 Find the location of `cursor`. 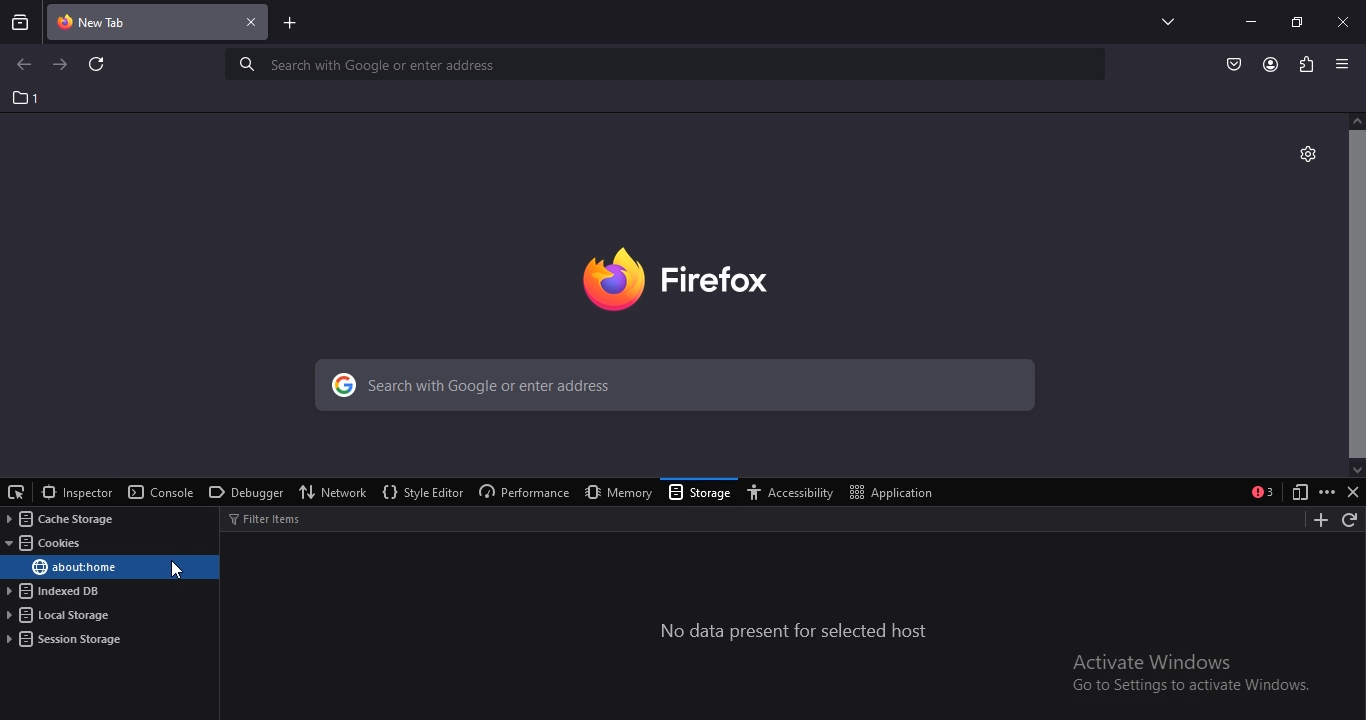

cursor is located at coordinates (178, 570).